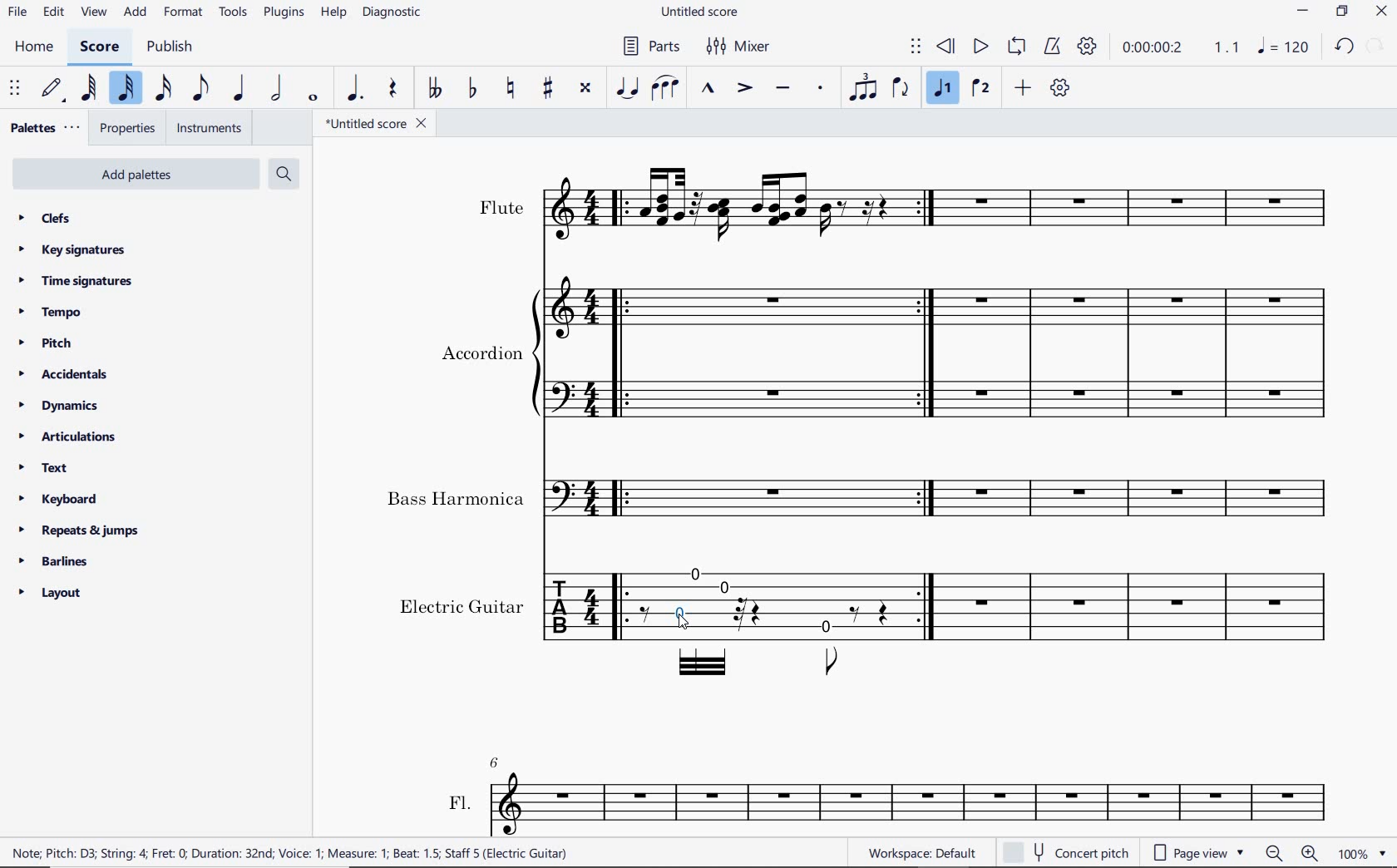  What do you see at coordinates (124, 87) in the screenshot?
I see `32nd note` at bounding box center [124, 87].